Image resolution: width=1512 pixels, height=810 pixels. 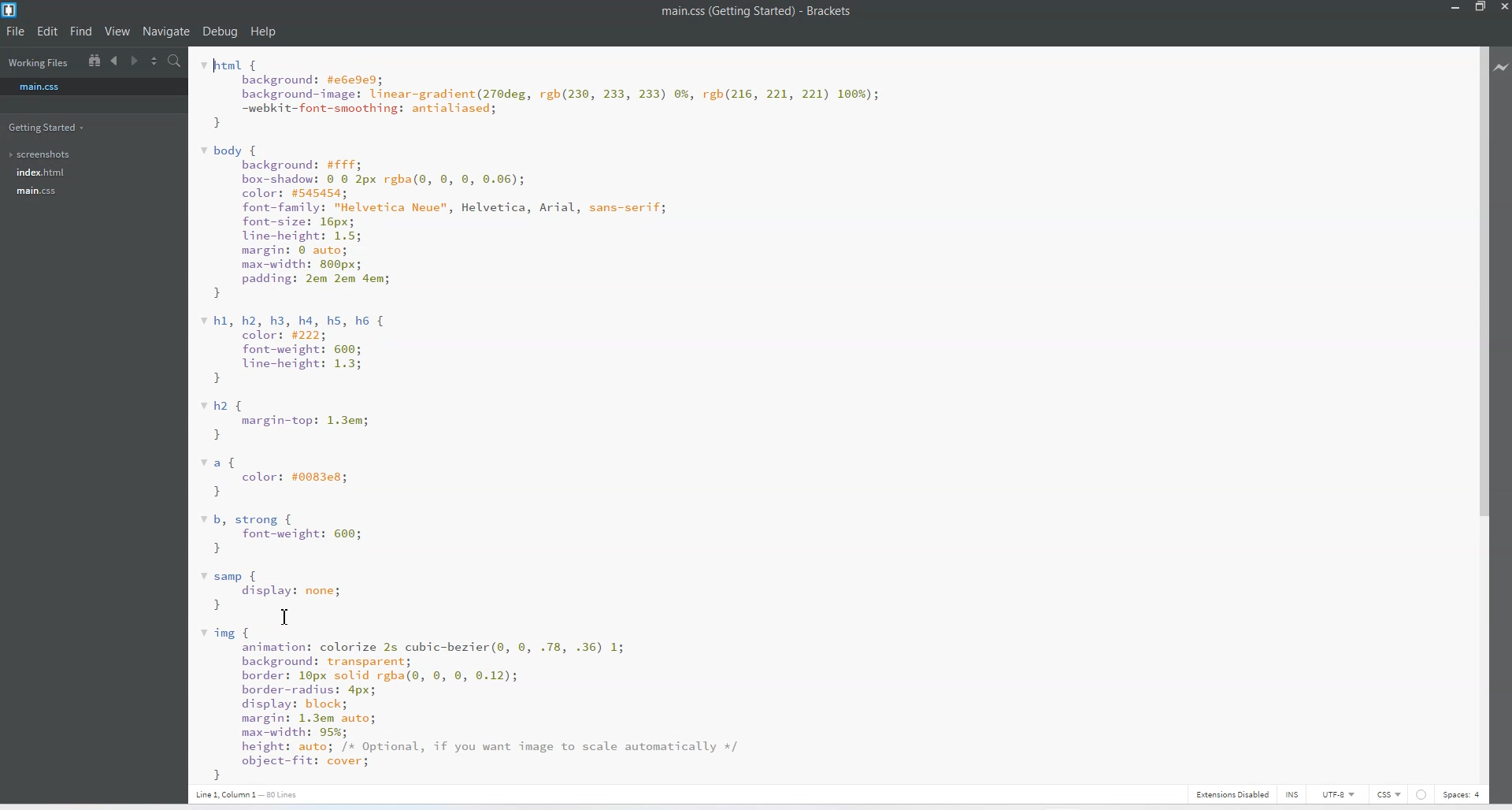 What do you see at coordinates (259, 793) in the screenshot?
I see `Text 2` at bounding box center [259, 793].